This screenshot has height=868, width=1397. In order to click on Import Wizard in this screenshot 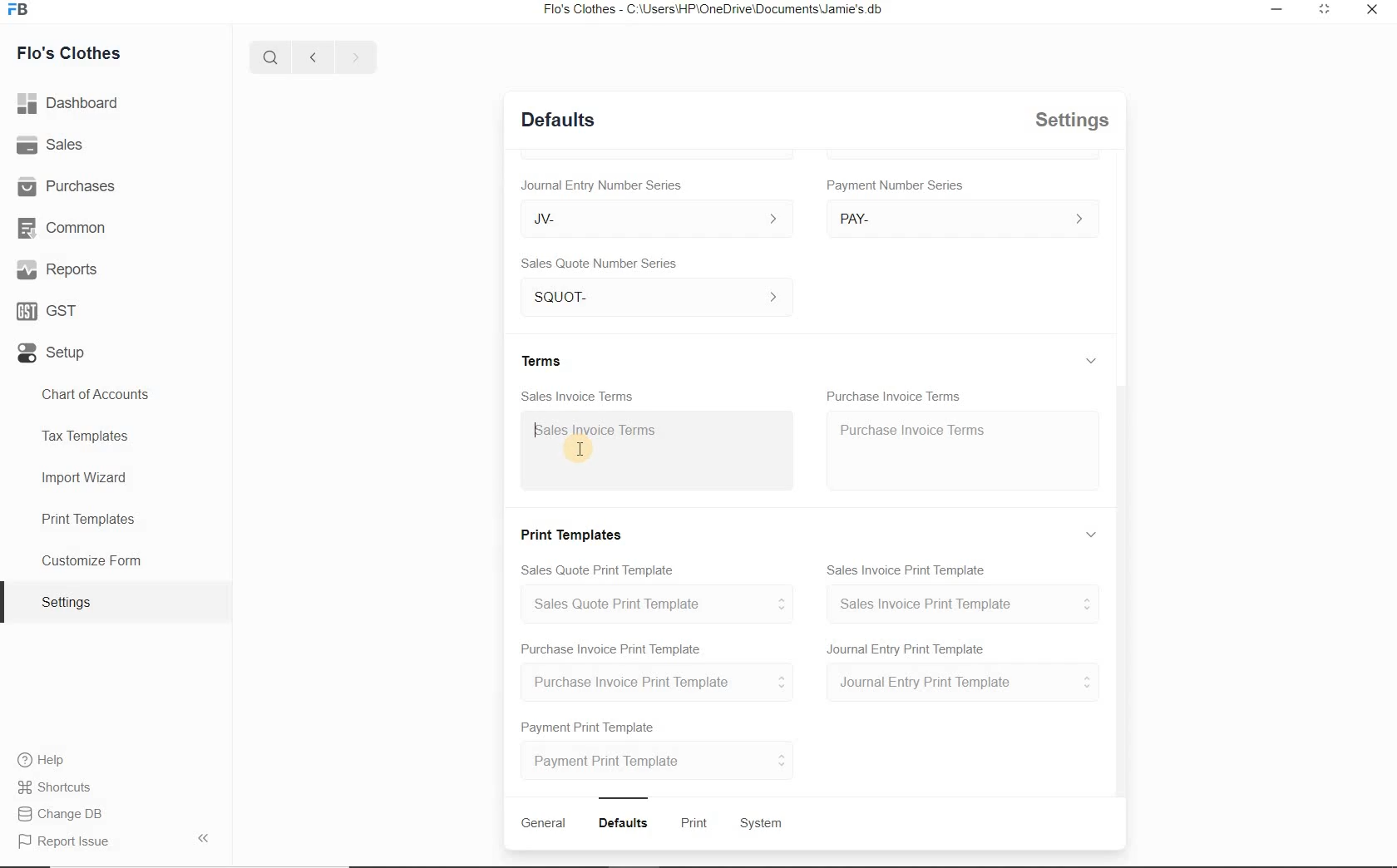, I will do `click(86, 481)`.